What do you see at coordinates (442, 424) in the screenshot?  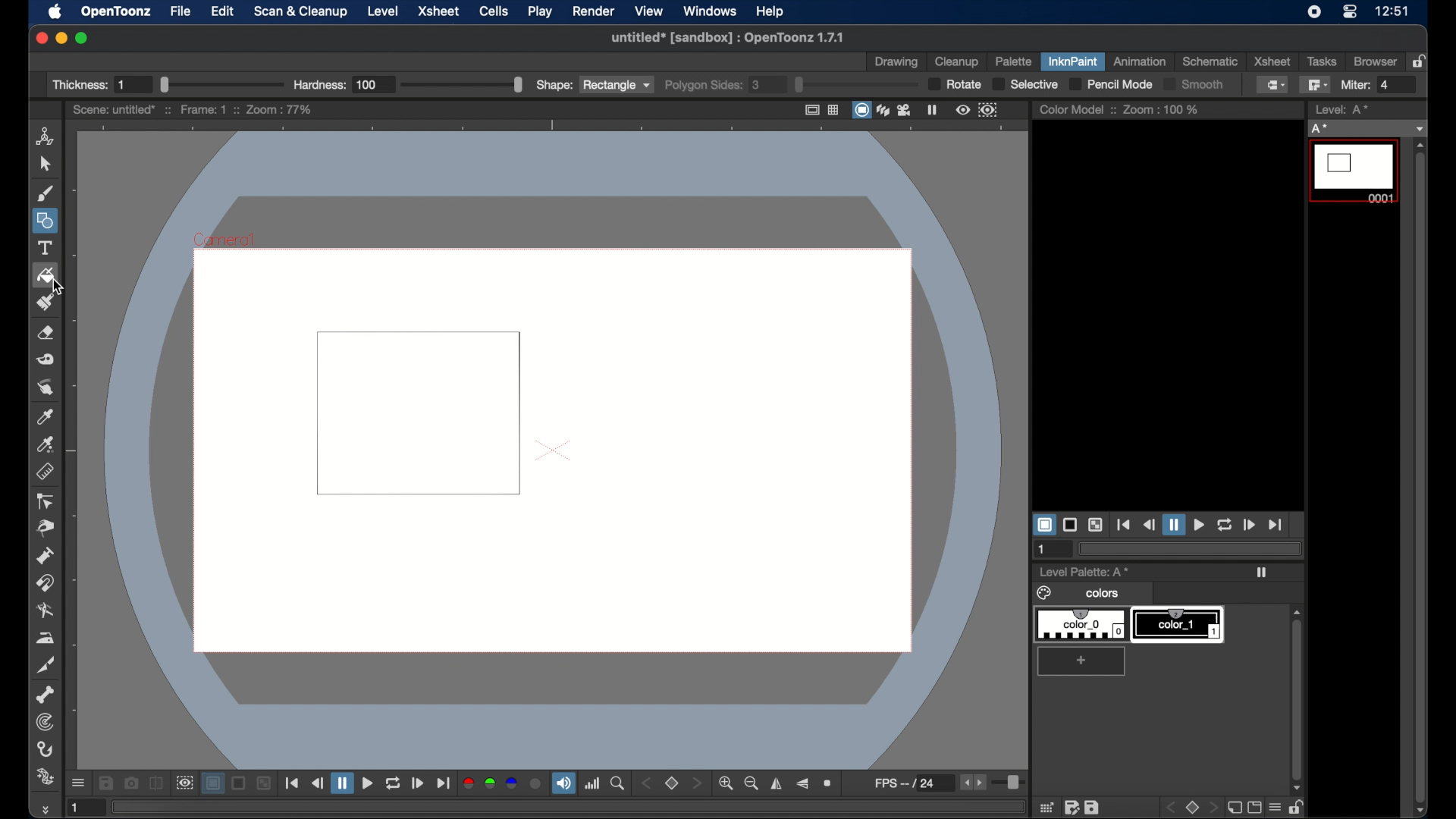 I see `square` at bounding box center [442, 424].